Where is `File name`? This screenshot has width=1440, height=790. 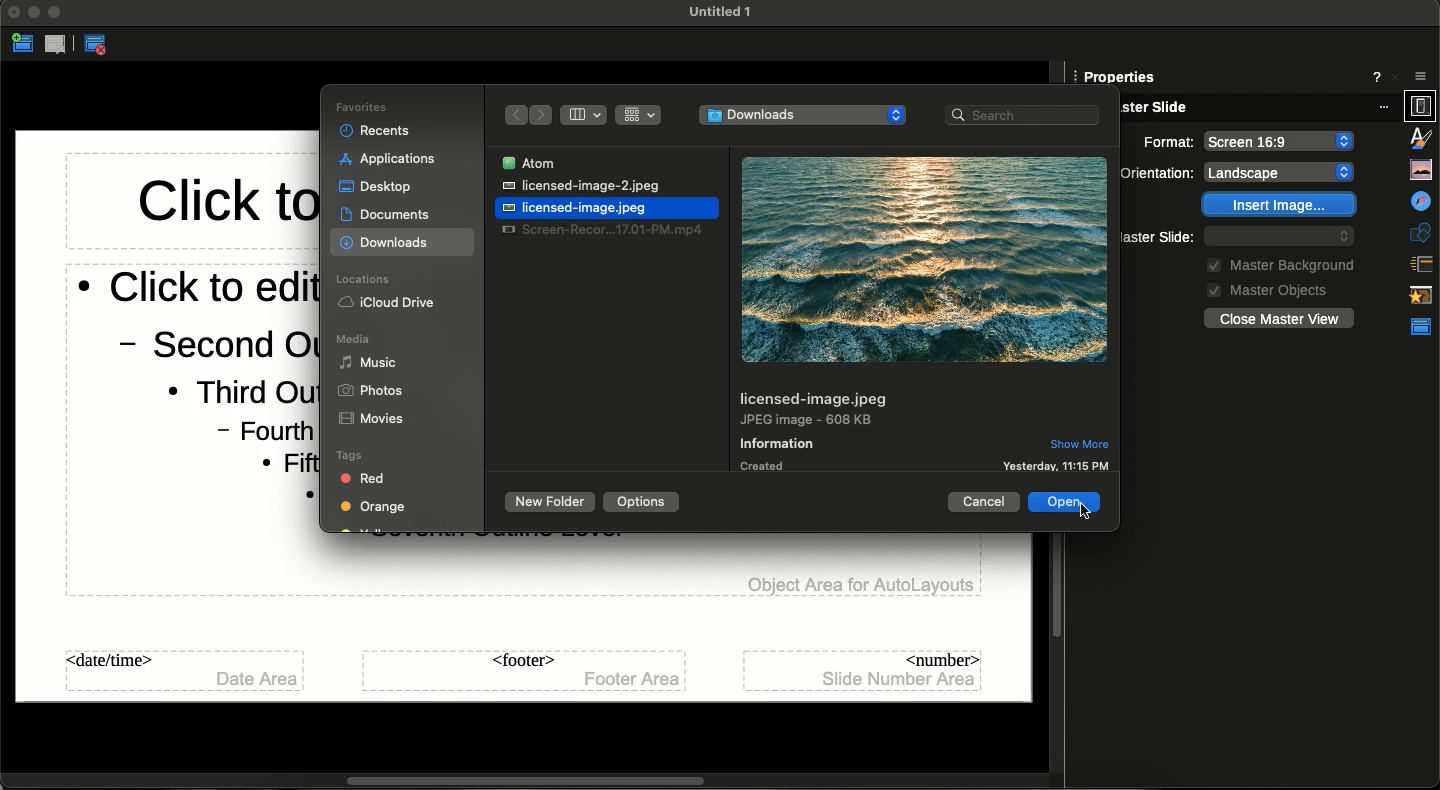
File name is located at coordinates (811, 398).